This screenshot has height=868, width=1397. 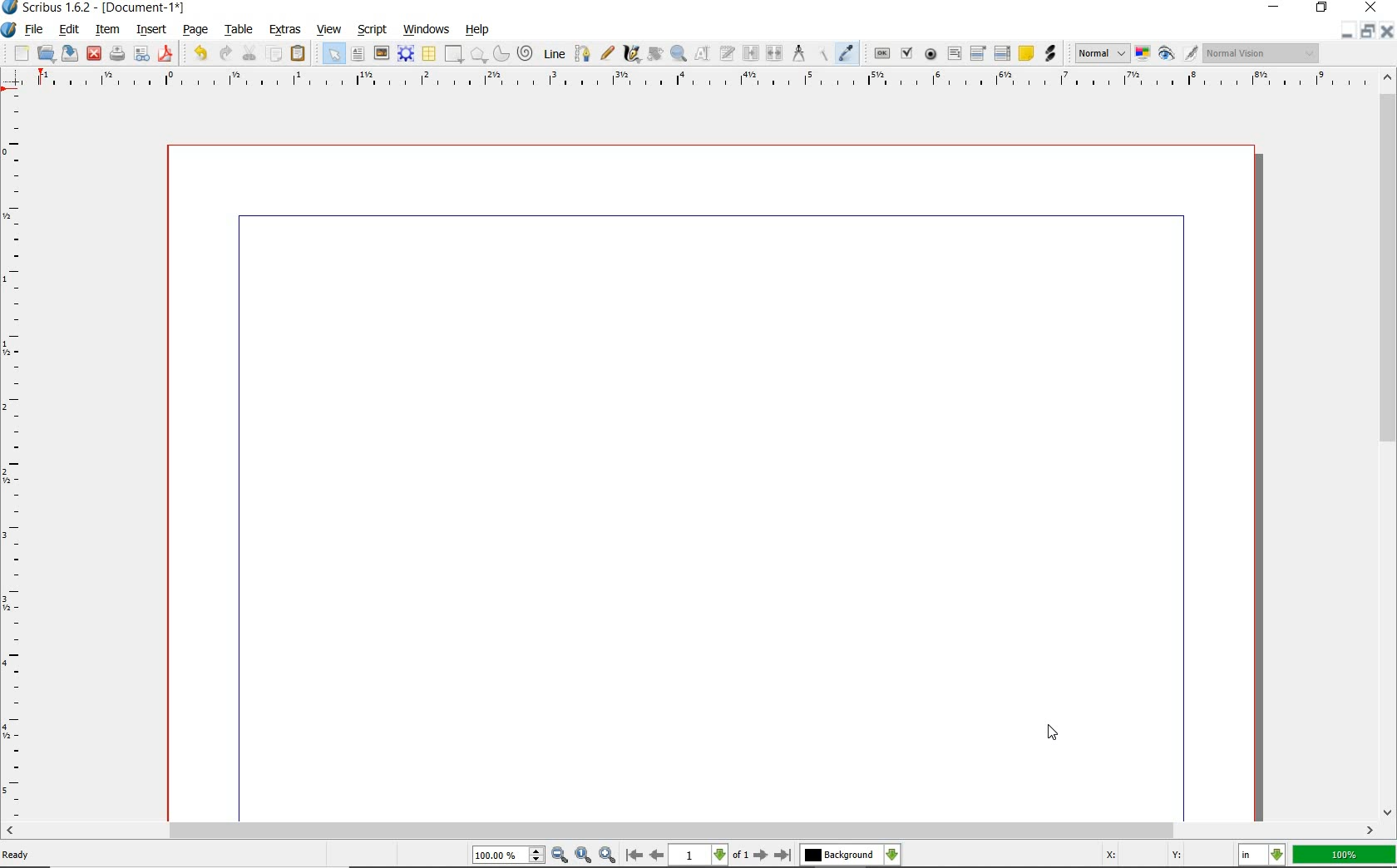 What do you see at coordinates (478, 31) in the screenshot?
I see `help` at bounding box center [478, 31].